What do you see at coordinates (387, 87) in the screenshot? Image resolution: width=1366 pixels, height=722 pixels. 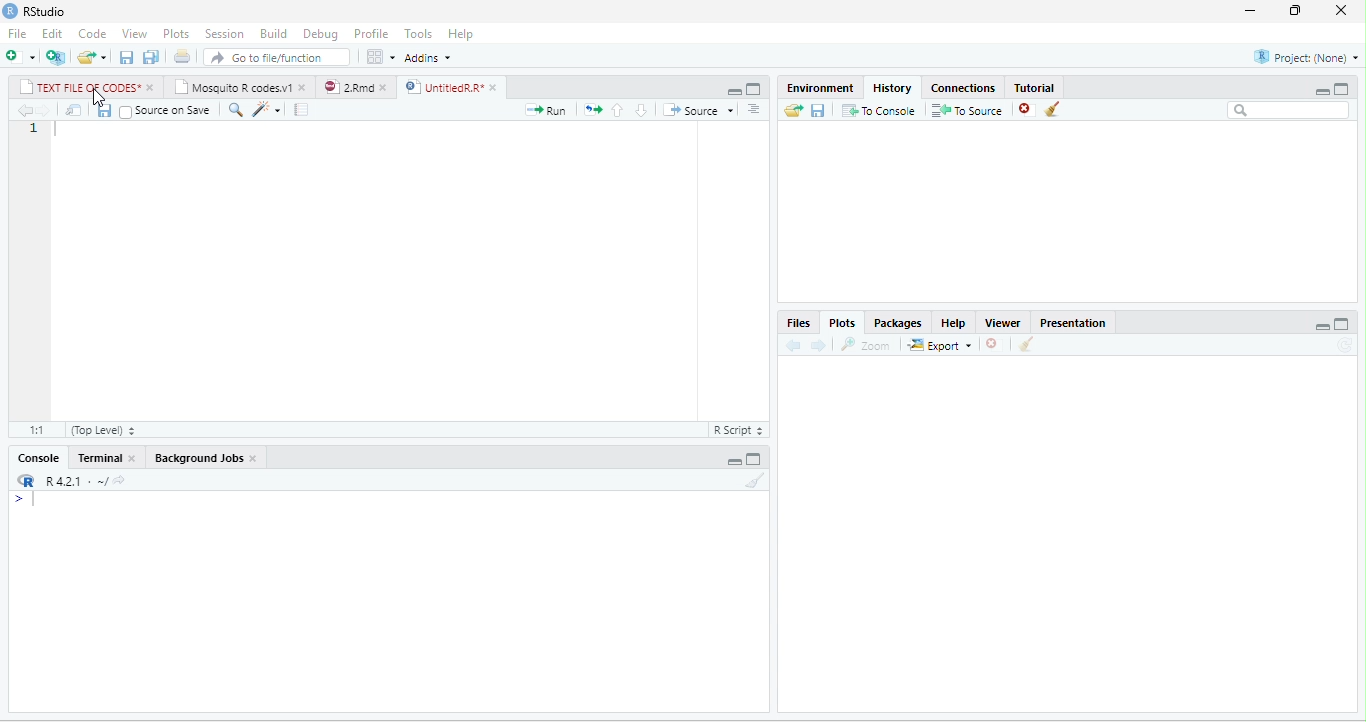 I see `close` at bounding box center [387, 87].